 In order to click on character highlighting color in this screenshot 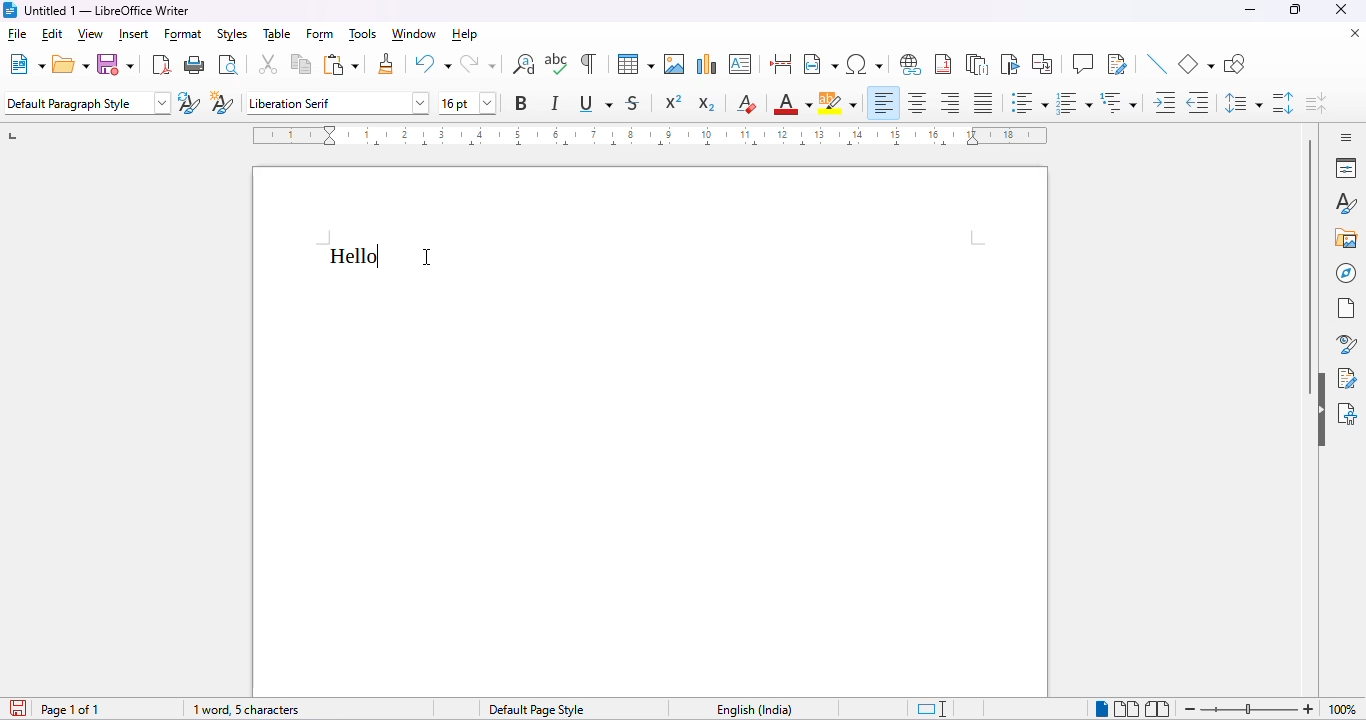, I will do `click(839, 104)`.